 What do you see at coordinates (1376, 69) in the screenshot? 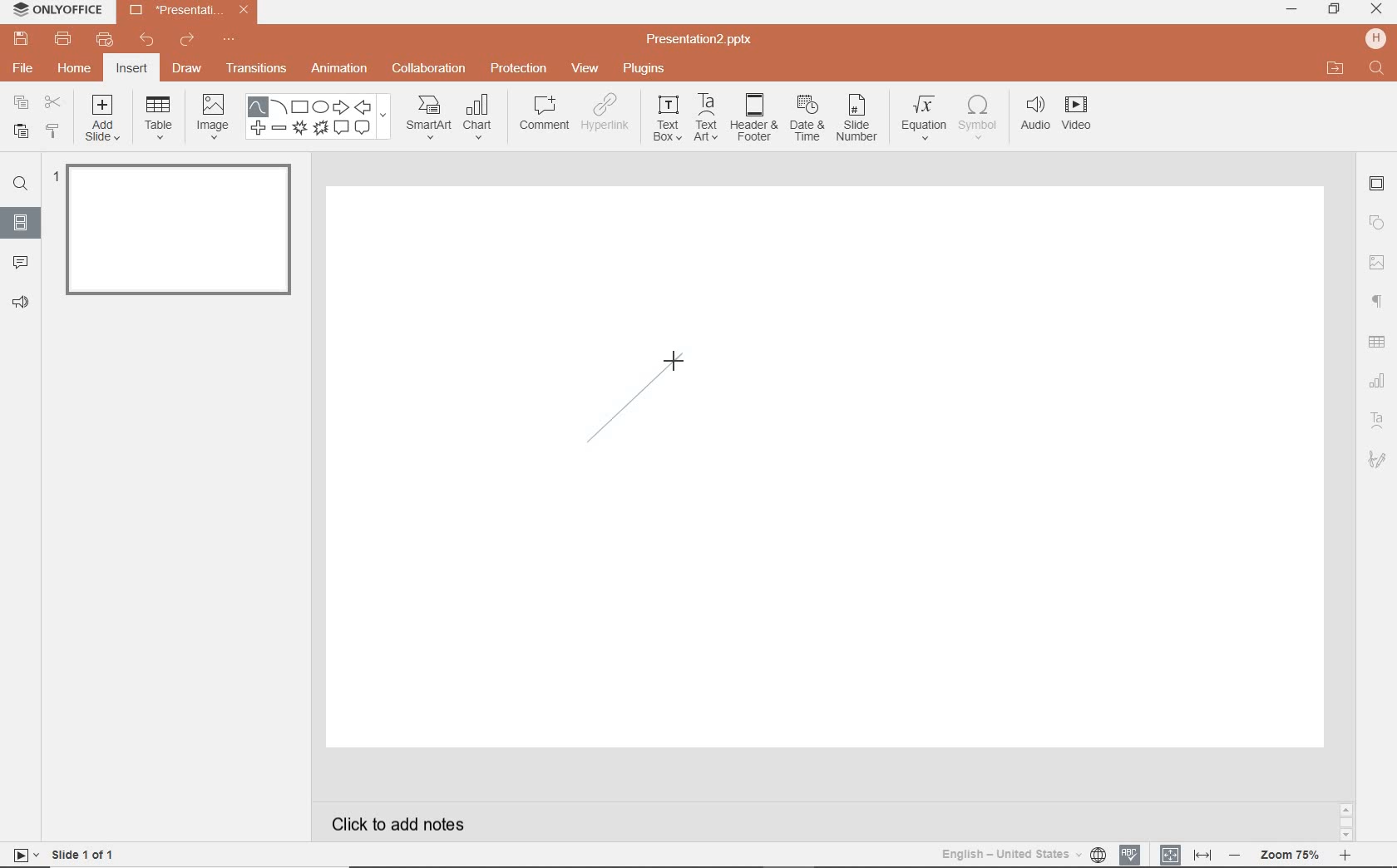
I see `FIND` at bounding box center [1376, 69].